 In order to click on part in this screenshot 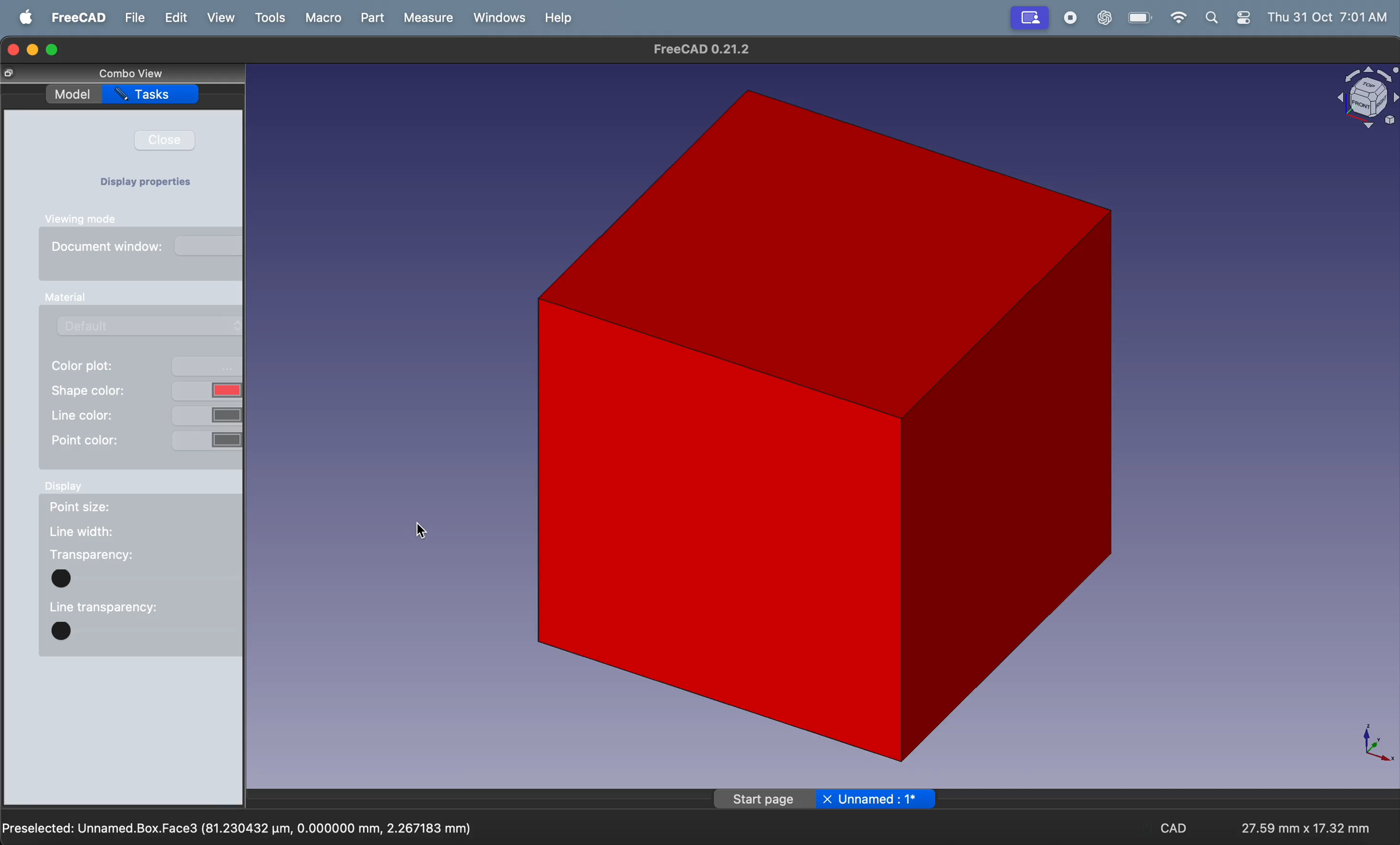, I will do `click(375, 19)`.